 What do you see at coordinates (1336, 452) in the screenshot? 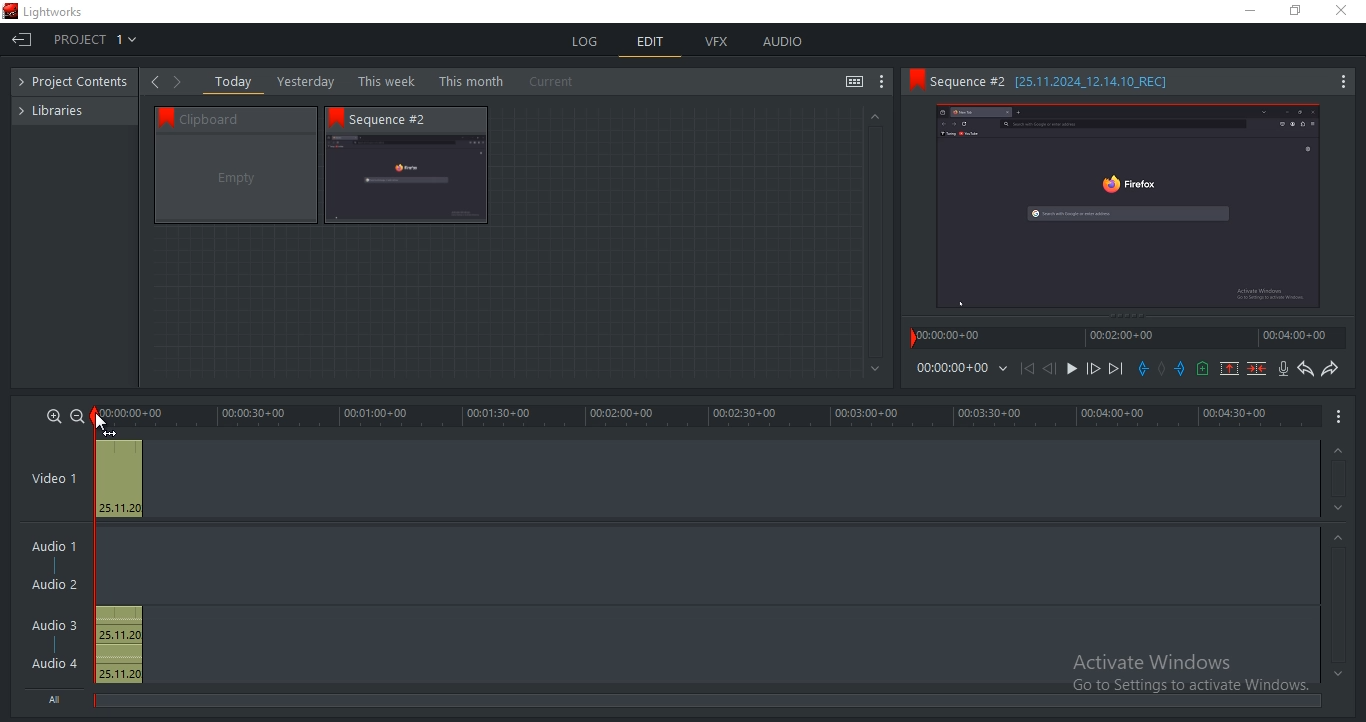
I see `Greyed out up arrow` at bounding box center [1336, 452].